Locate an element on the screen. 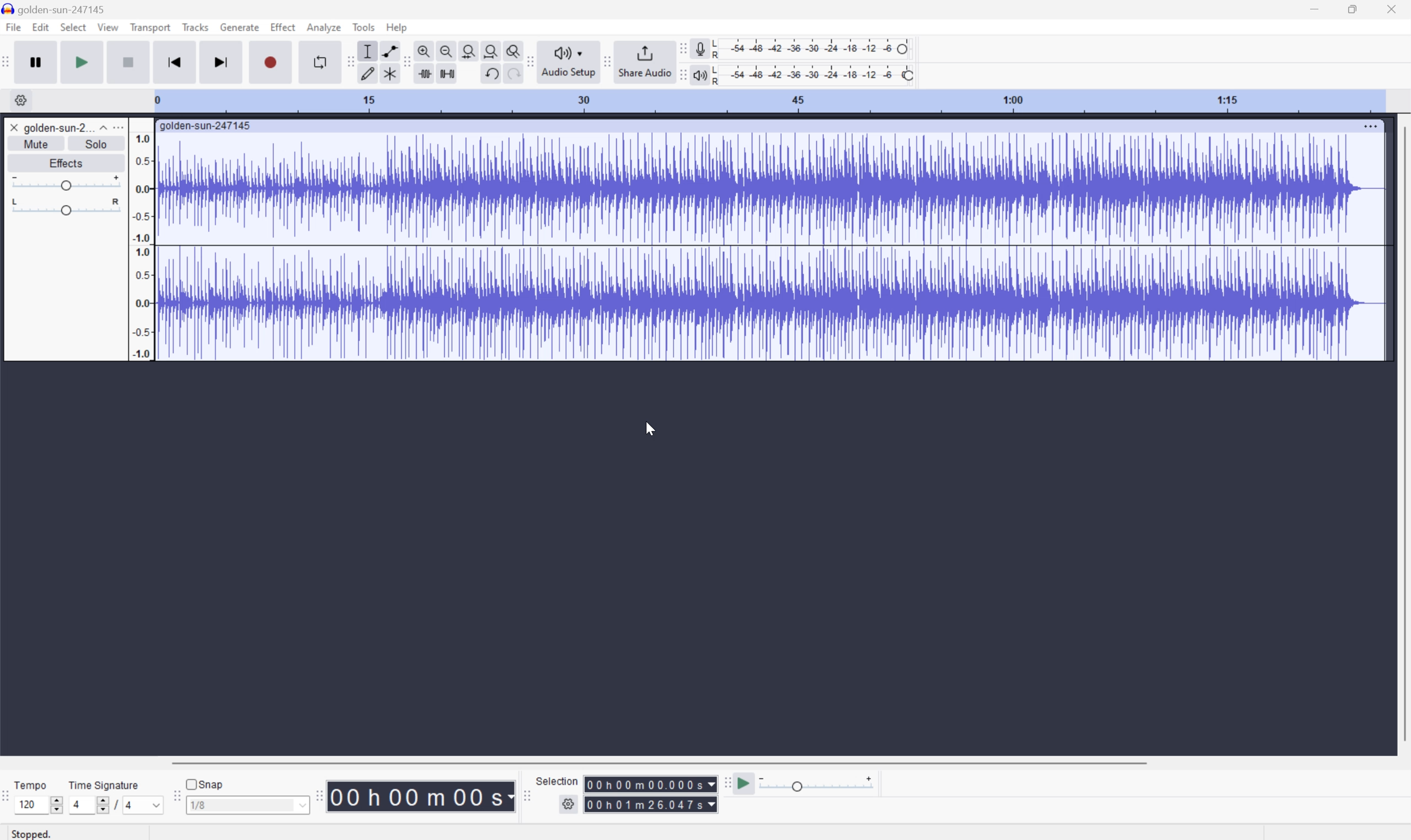  Tools is located at coordinates (363, 27).